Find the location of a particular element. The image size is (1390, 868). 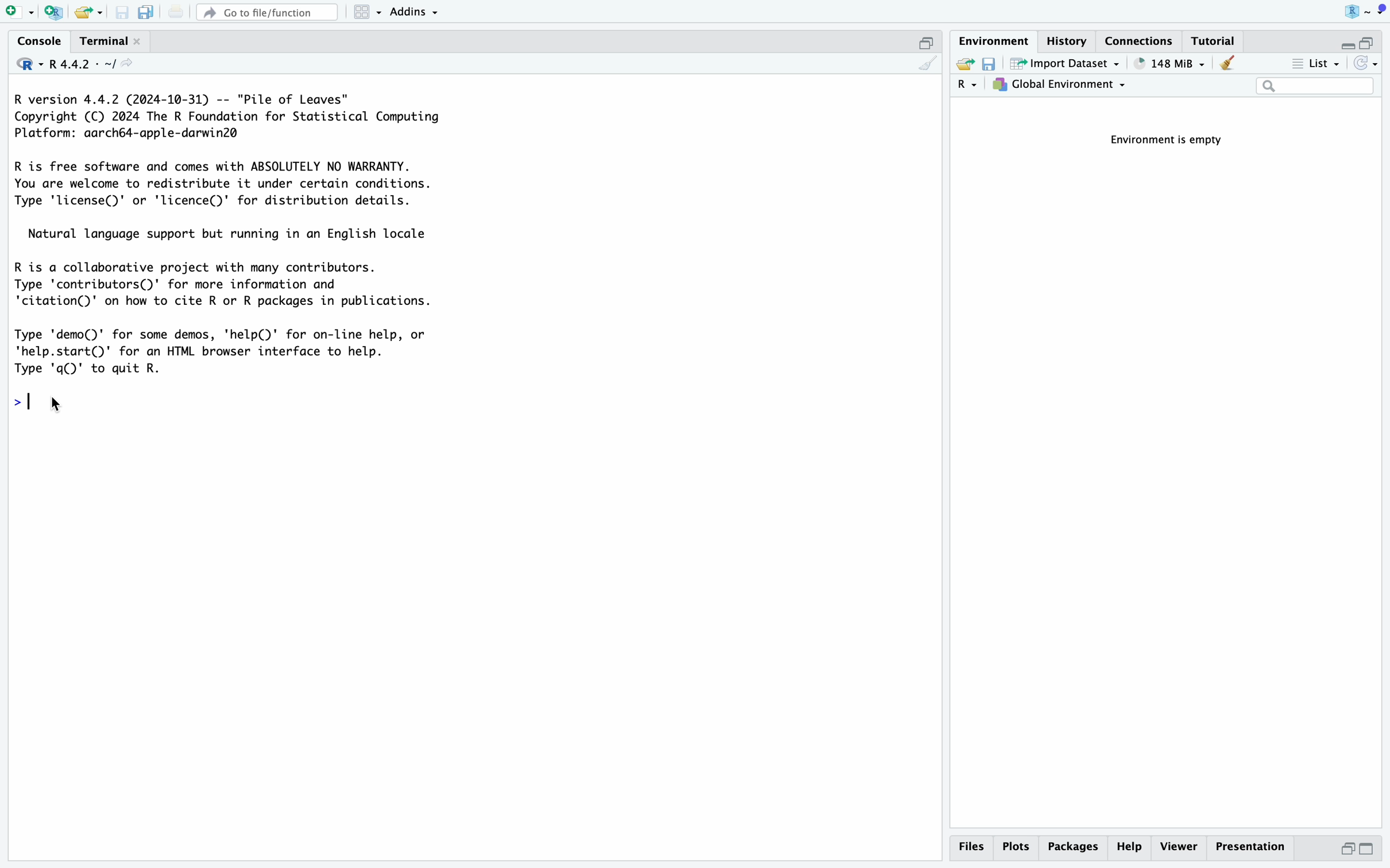

connections is located at coordinates (1142, 40).